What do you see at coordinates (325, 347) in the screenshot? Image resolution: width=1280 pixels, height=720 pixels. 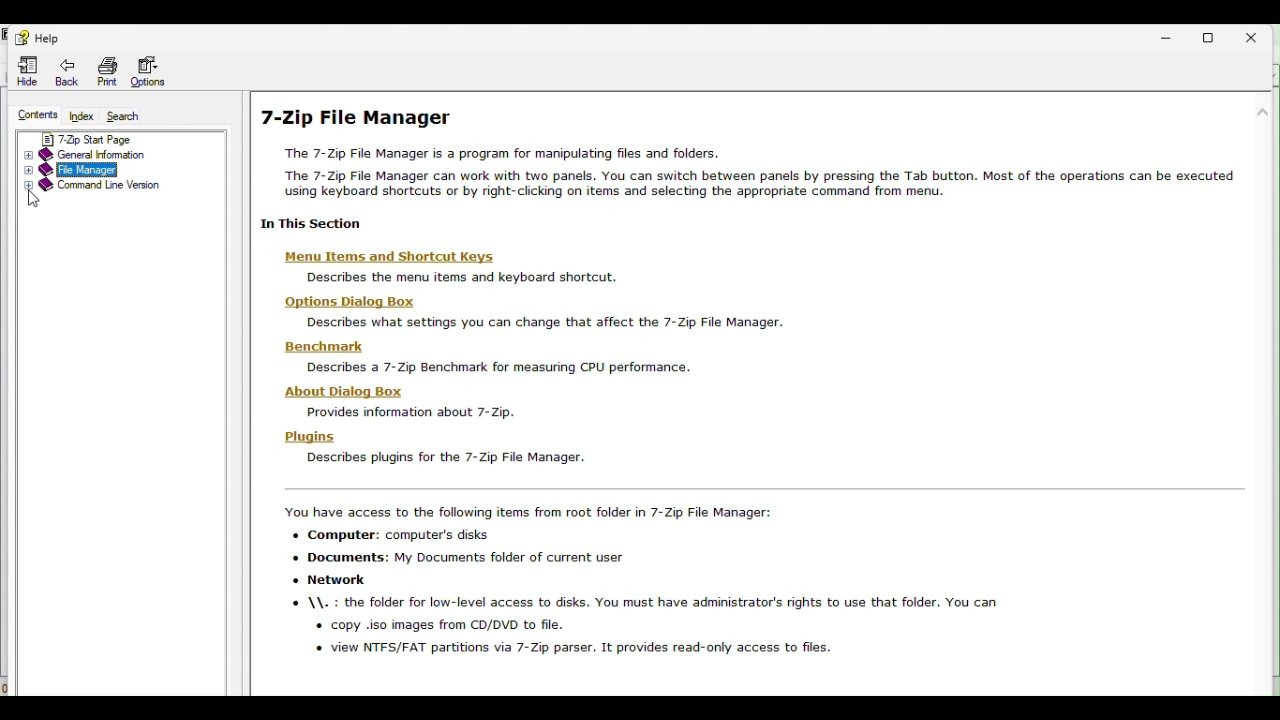 I see `Benchmark` at bounding box center [325, 347].